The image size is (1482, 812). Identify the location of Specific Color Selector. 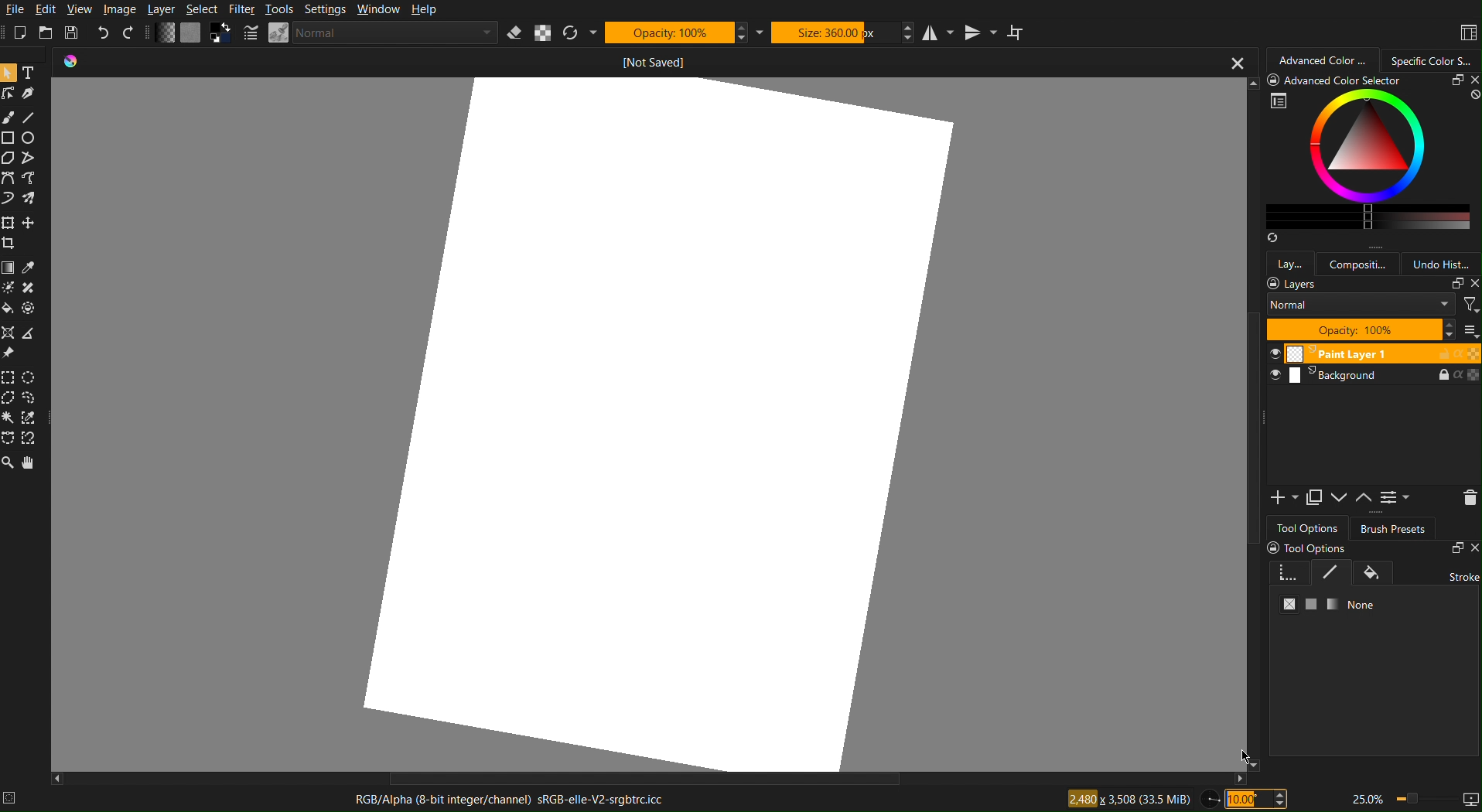
(1435, 59).